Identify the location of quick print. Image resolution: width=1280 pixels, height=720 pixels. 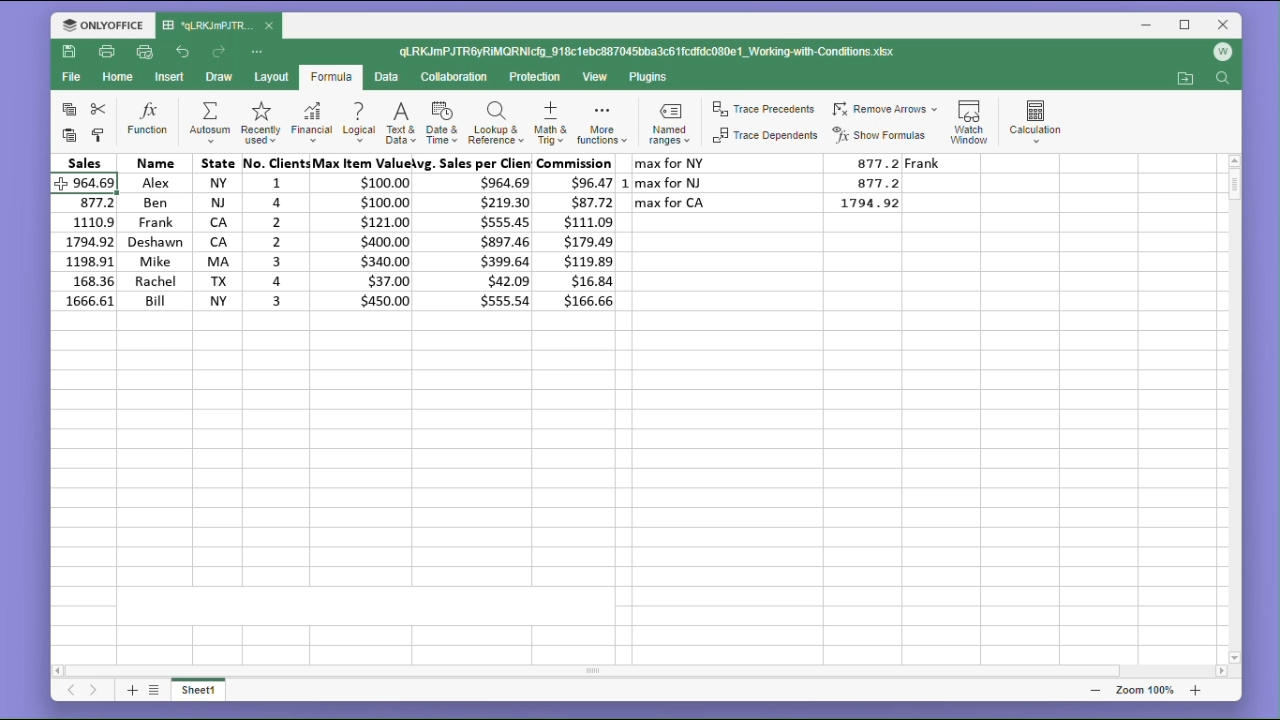
(146, 53).